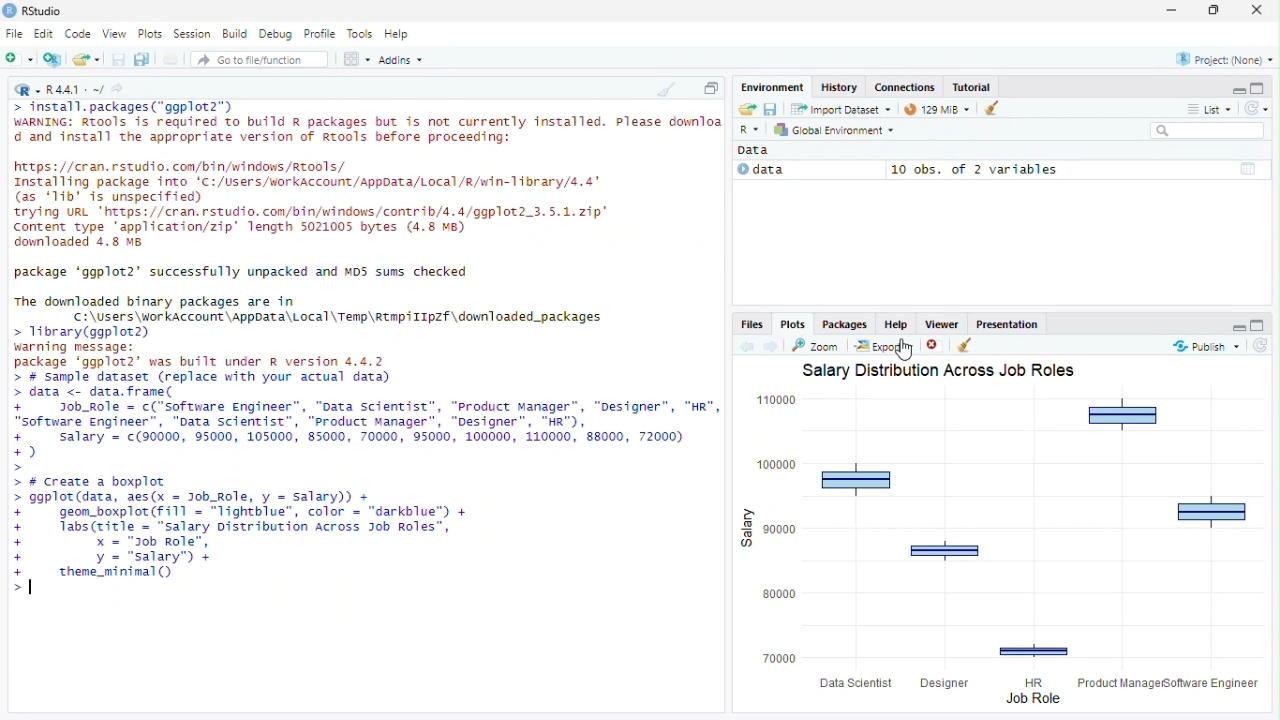 Image resolution: width=1280 pixels, height=720 pixels. What do you see at coordinates (664, 89) in the screenshot?
I see `Clear console` at bounding box center [664, 89].